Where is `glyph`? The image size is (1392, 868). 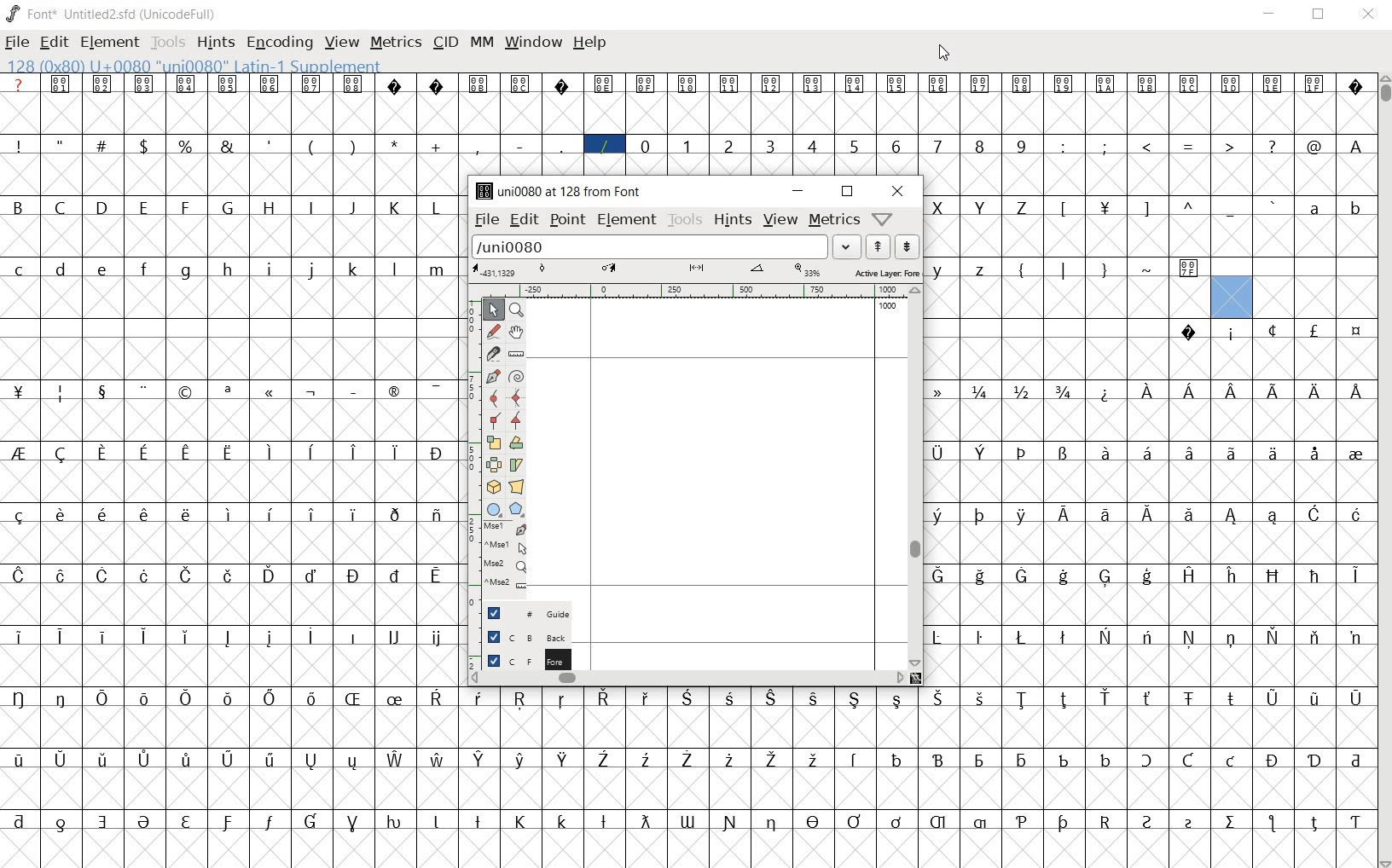 glyph is located at coordinates (1022, 391).